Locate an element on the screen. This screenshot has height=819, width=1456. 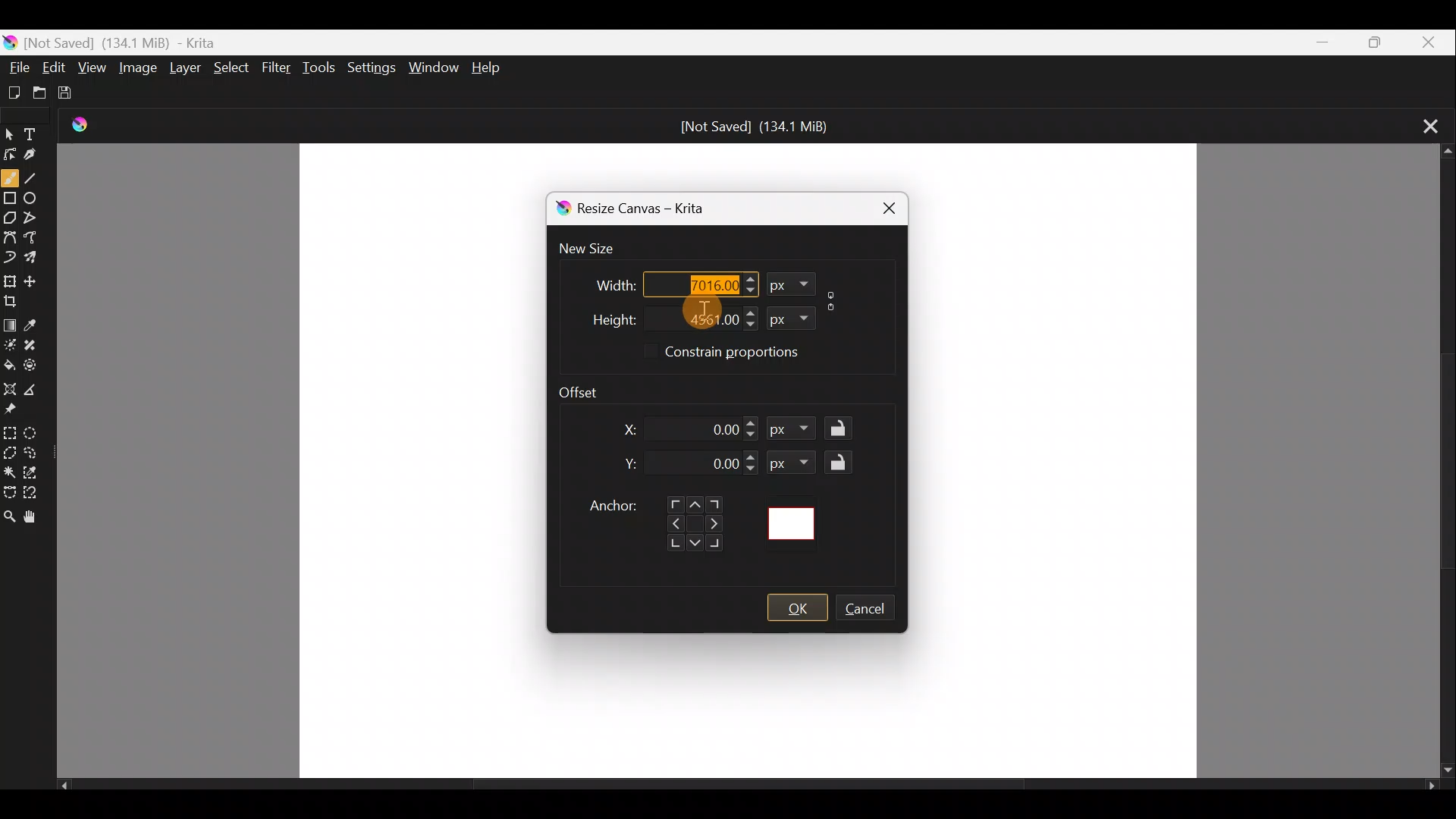
Decrease height is located at coordinates (750, 325).